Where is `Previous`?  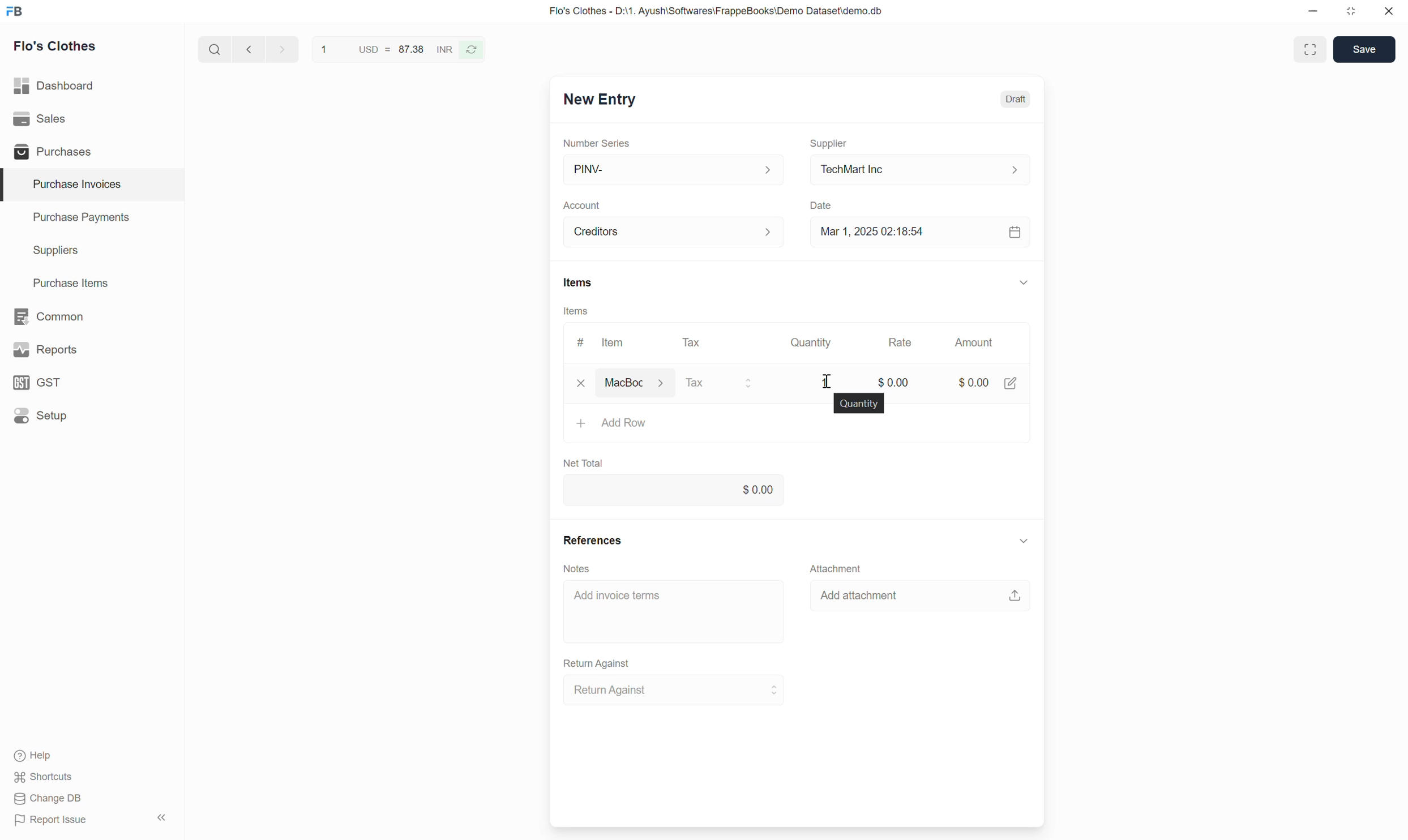 Previous is located at coordinates (249, 49).